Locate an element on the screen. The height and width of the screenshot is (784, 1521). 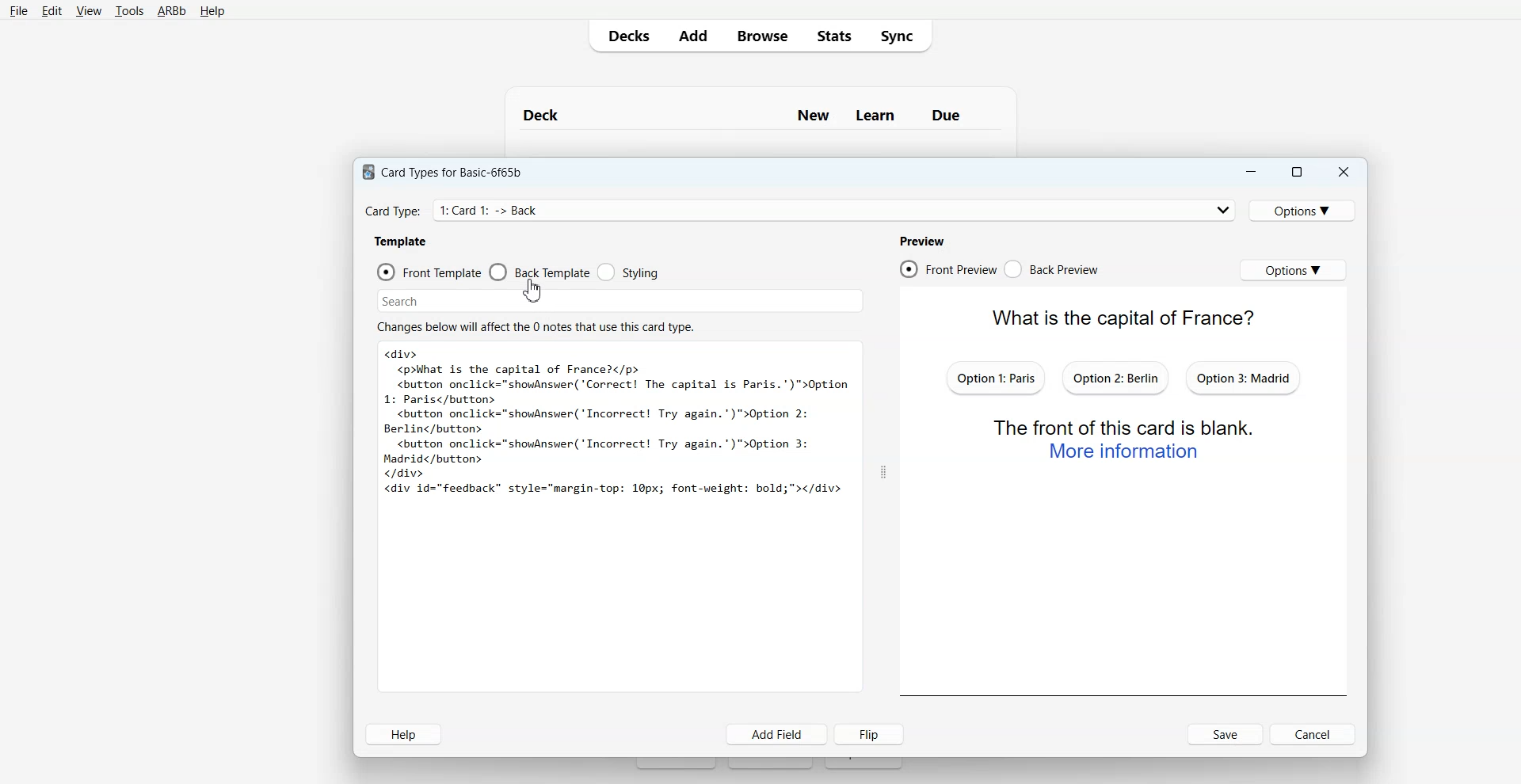
Decks is located at coordinates (625, 36).